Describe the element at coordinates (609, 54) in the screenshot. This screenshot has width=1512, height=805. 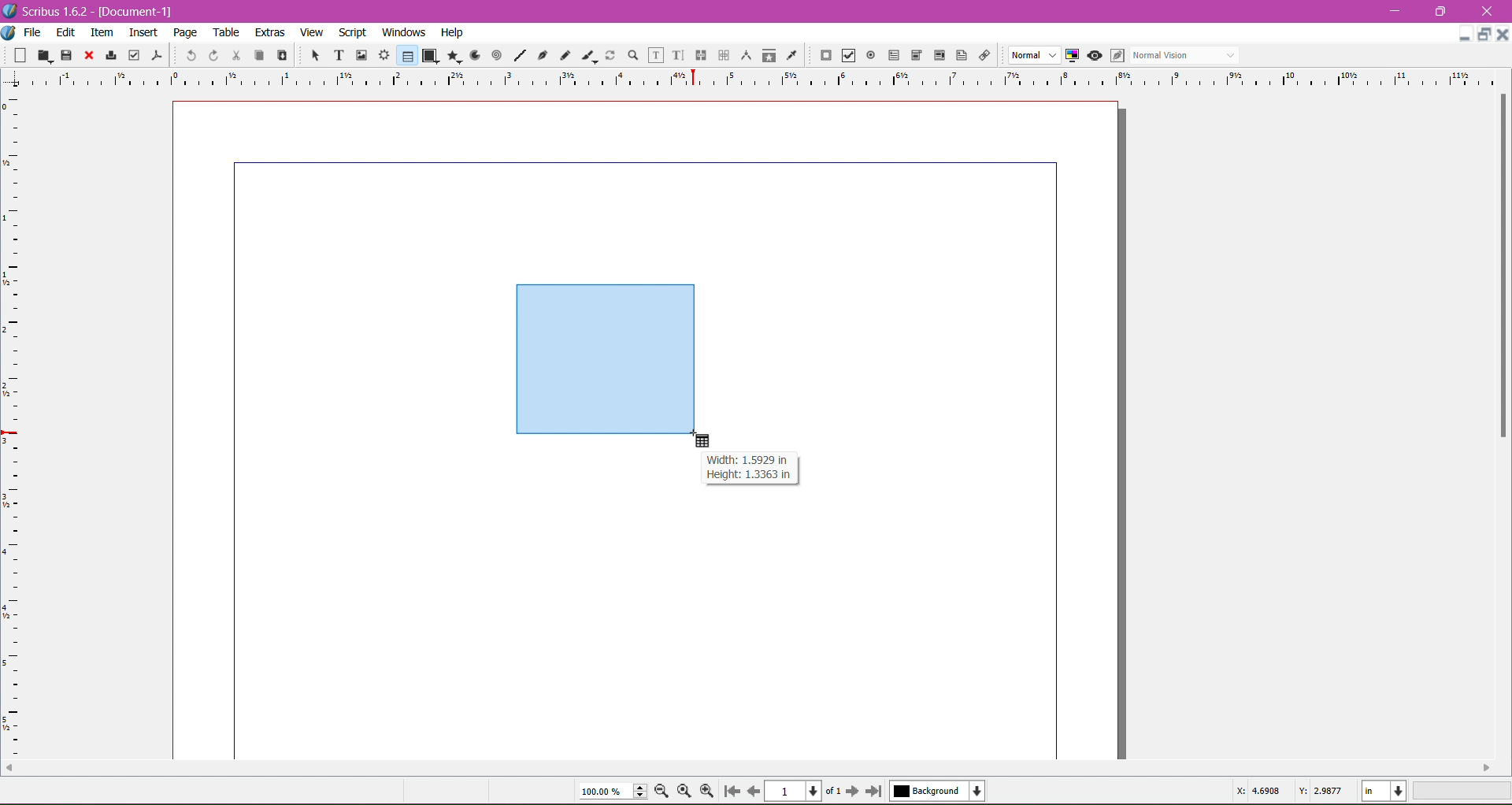
I see `Rotate Them` at that location.